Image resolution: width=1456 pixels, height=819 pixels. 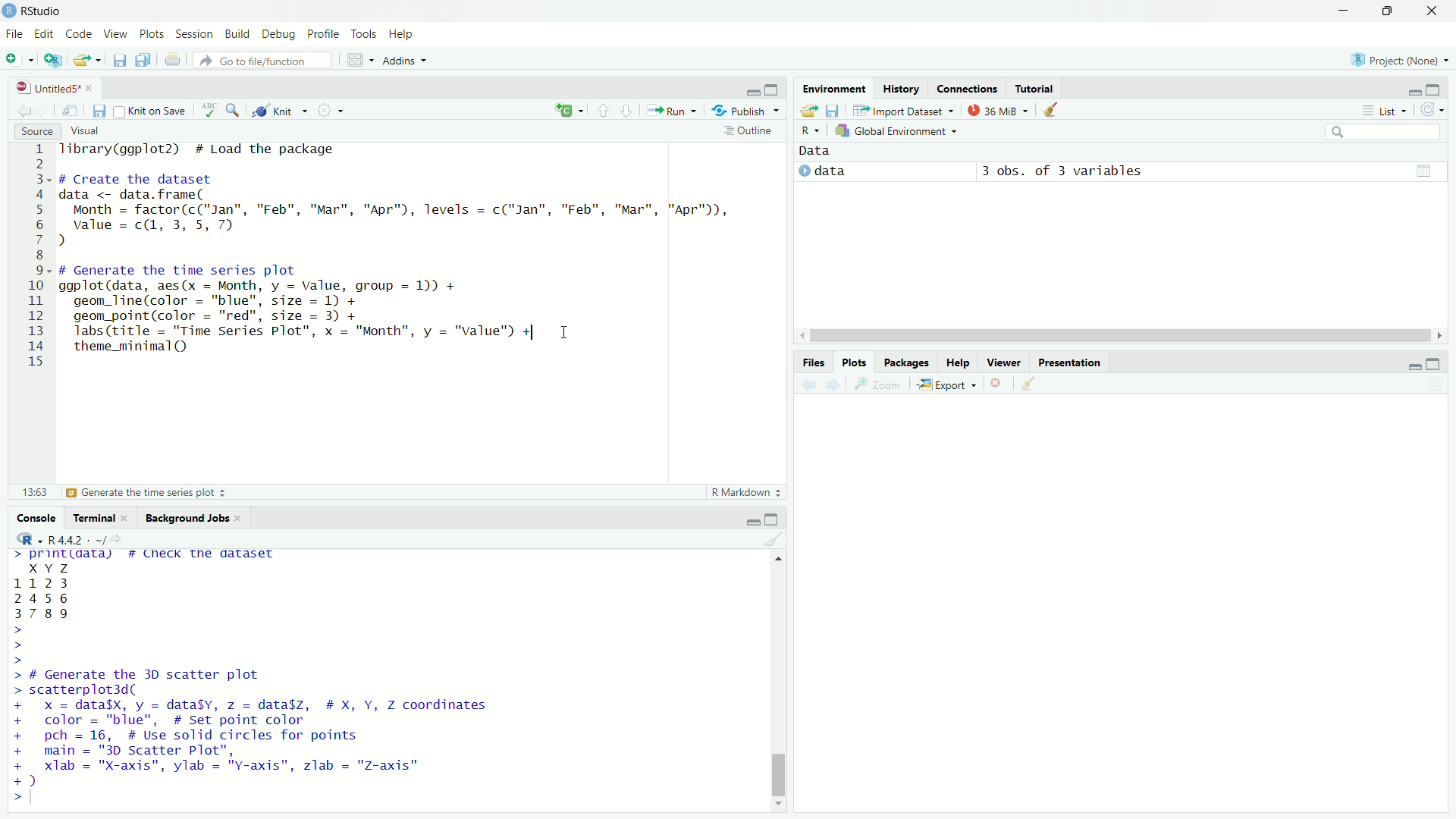 What do you see at coordinates (13, 33) in the screenshot?
I see `file` at bounding box center [13, 33].